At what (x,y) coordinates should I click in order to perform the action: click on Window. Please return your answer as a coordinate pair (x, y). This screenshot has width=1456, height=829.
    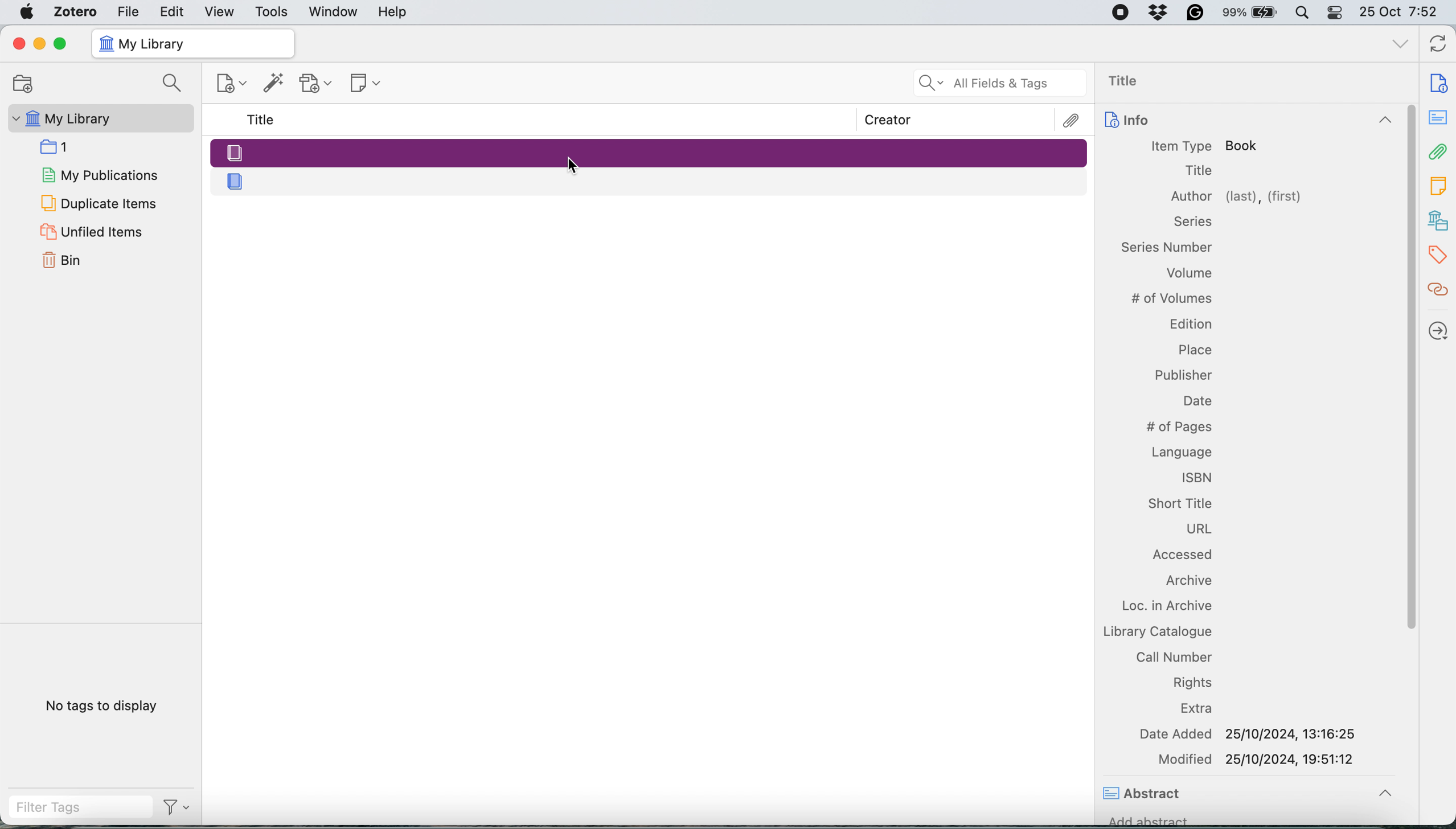
    Looking at the image, I should click on (334, 12).